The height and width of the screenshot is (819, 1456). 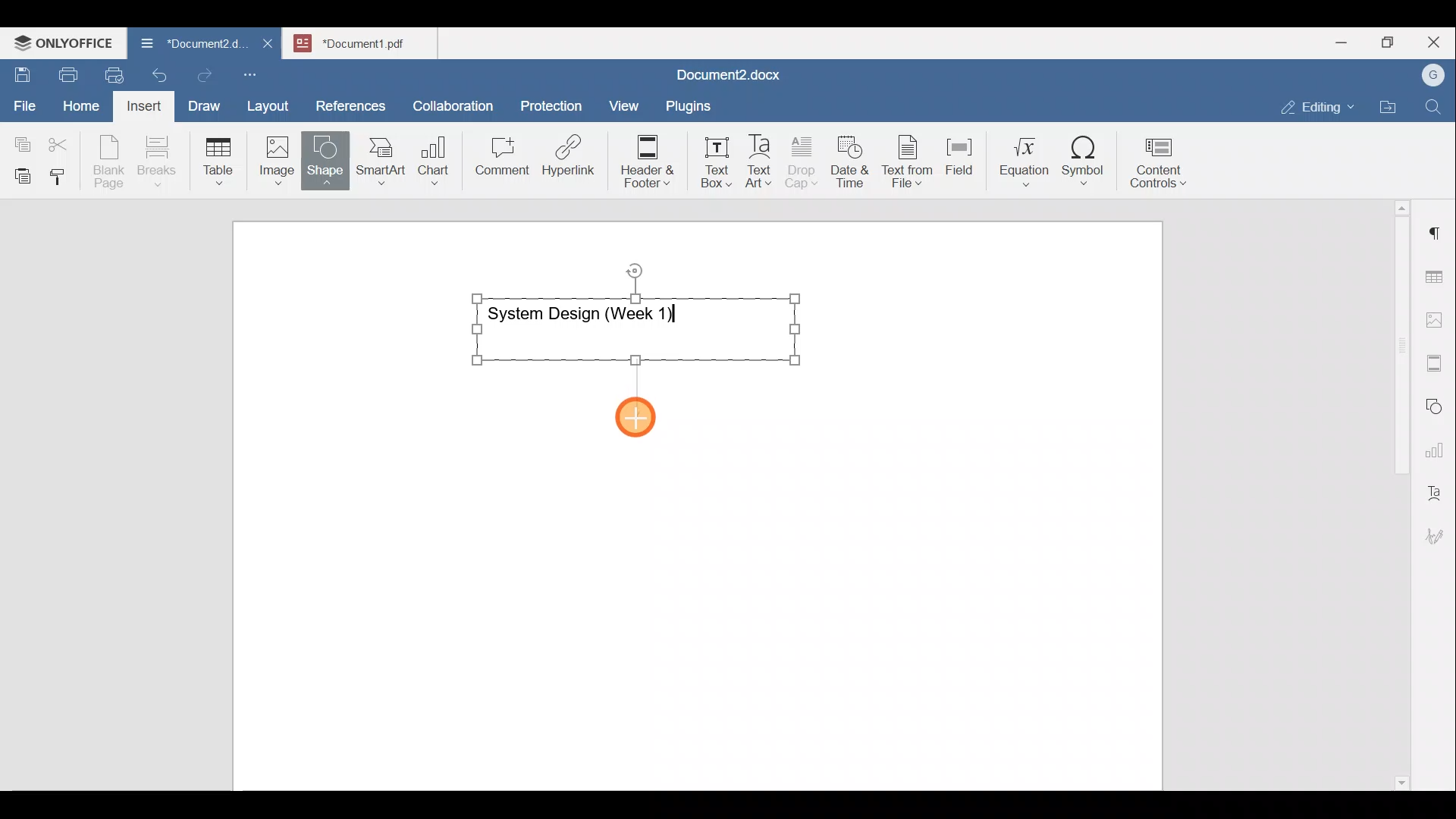 I want to click on Chart settings, so click(x=1438, y=444).